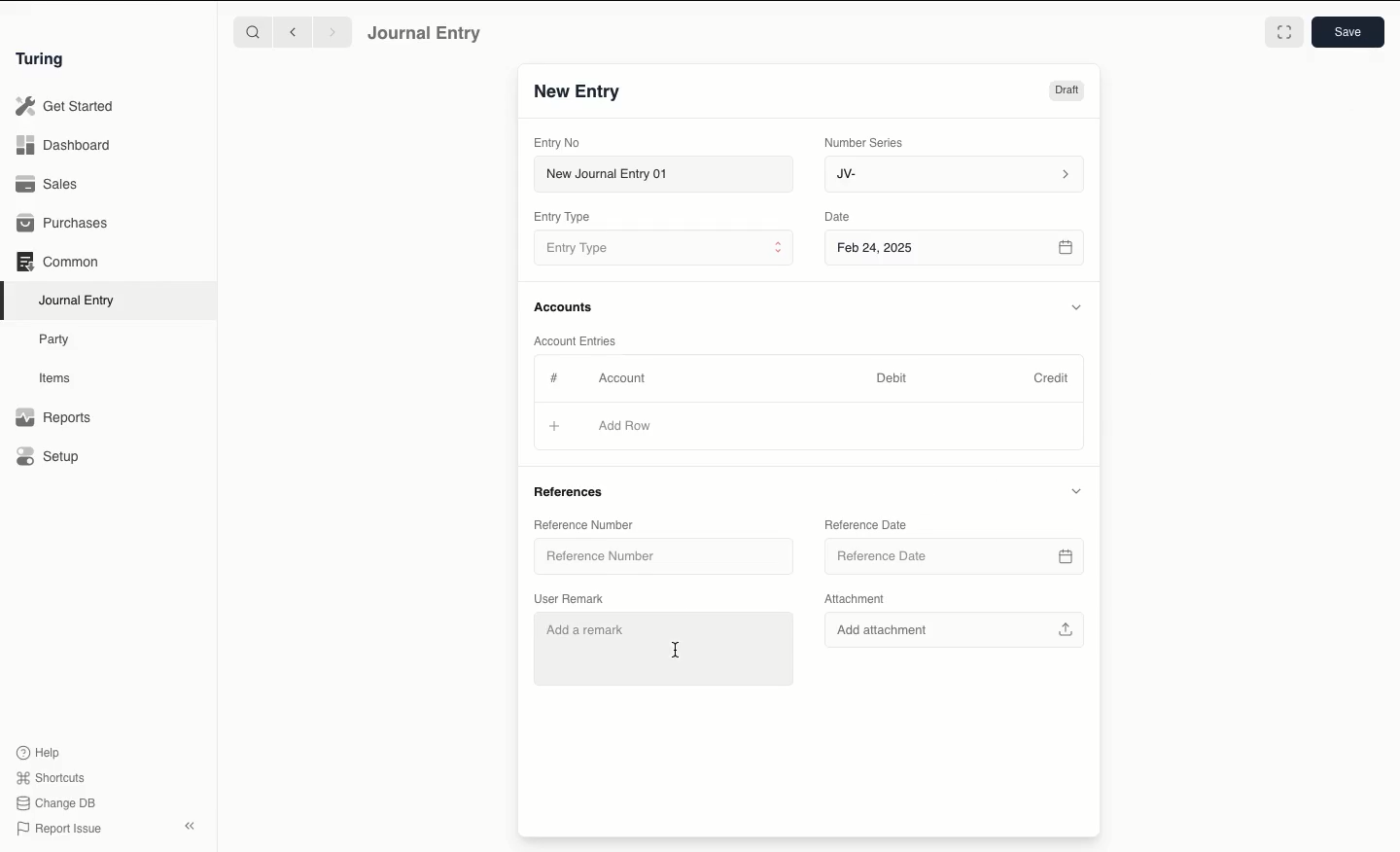 Image resolution: width=1400 pixels, height=852 pixels. I want to click on Reports, so click(53, 417).